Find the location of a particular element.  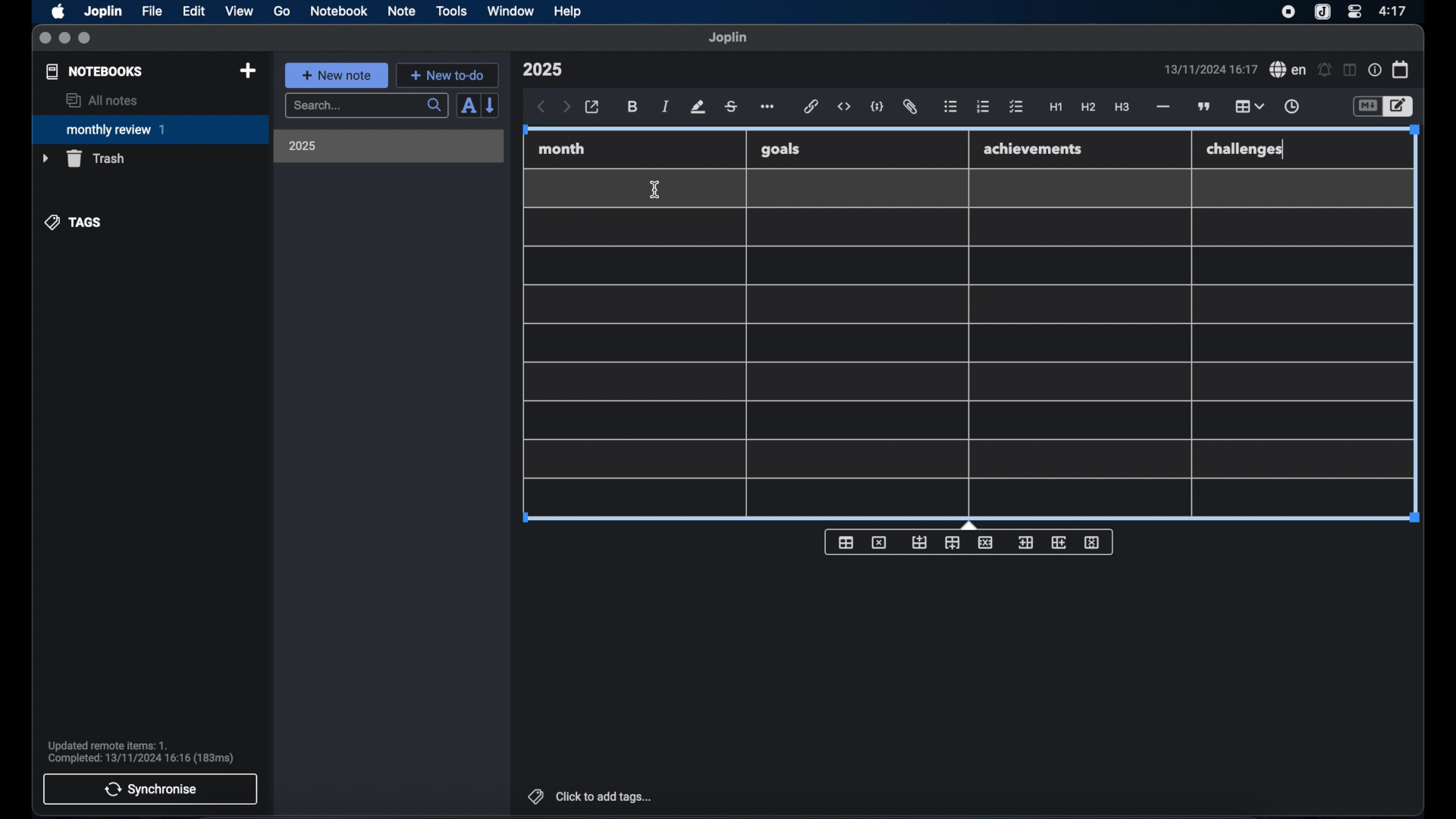

back is located at coordinates (541, 107).